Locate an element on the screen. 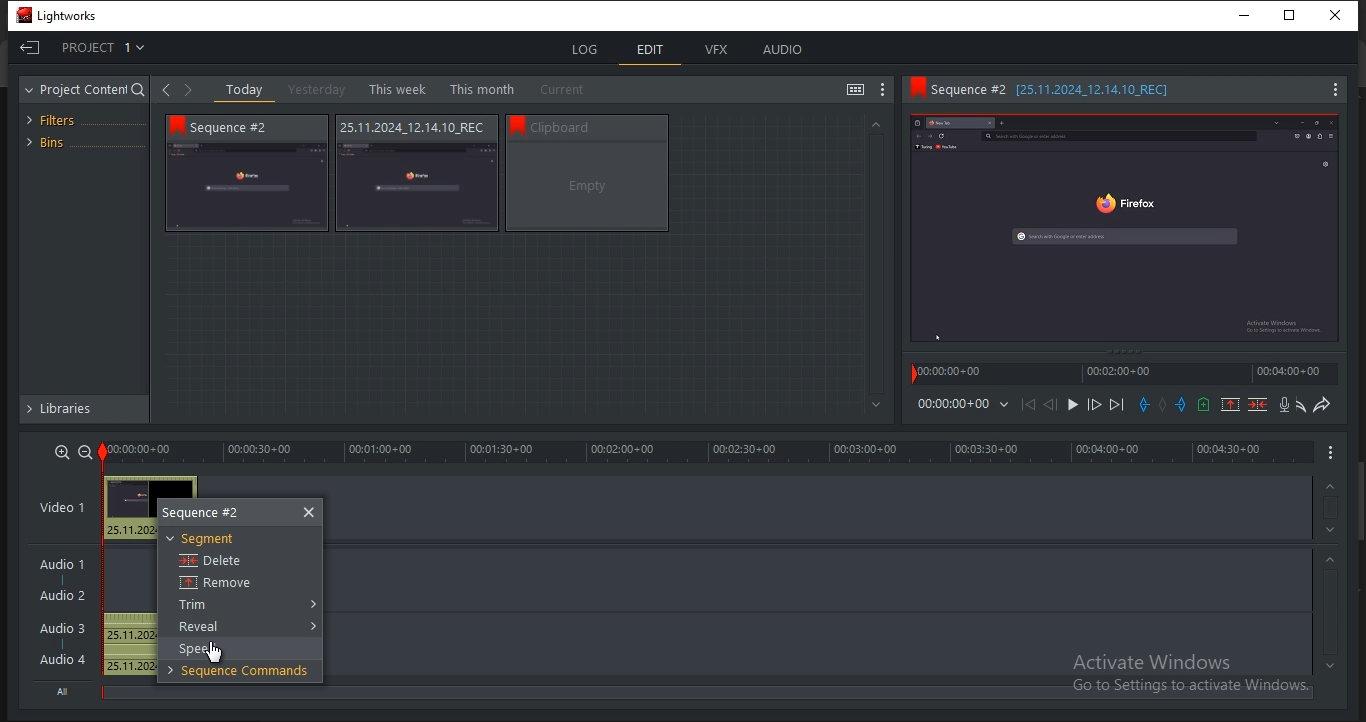 Image resolution: width=1366 pixels, height=722 pixels. vfx is located at coordinates (718, 51).